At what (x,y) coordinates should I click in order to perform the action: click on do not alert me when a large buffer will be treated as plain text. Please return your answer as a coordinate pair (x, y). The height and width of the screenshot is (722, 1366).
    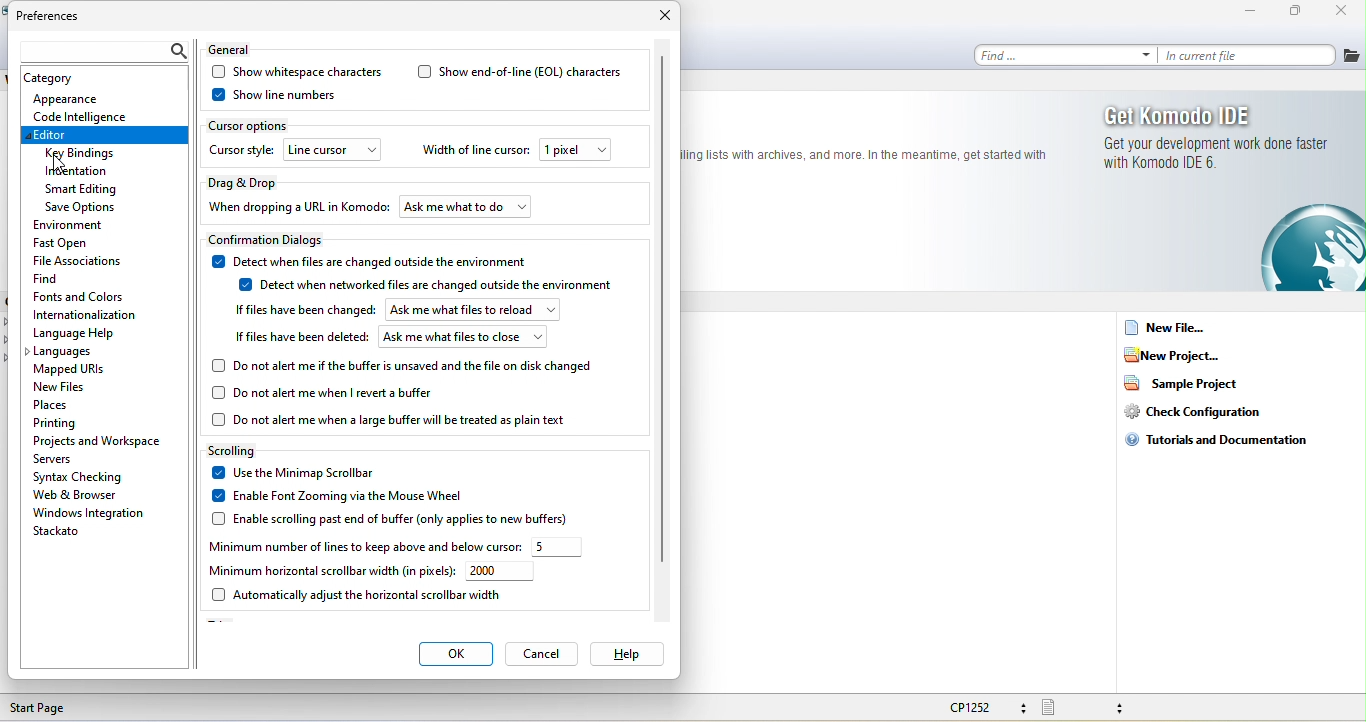
    Looking at the image, I should click on (393, 420).